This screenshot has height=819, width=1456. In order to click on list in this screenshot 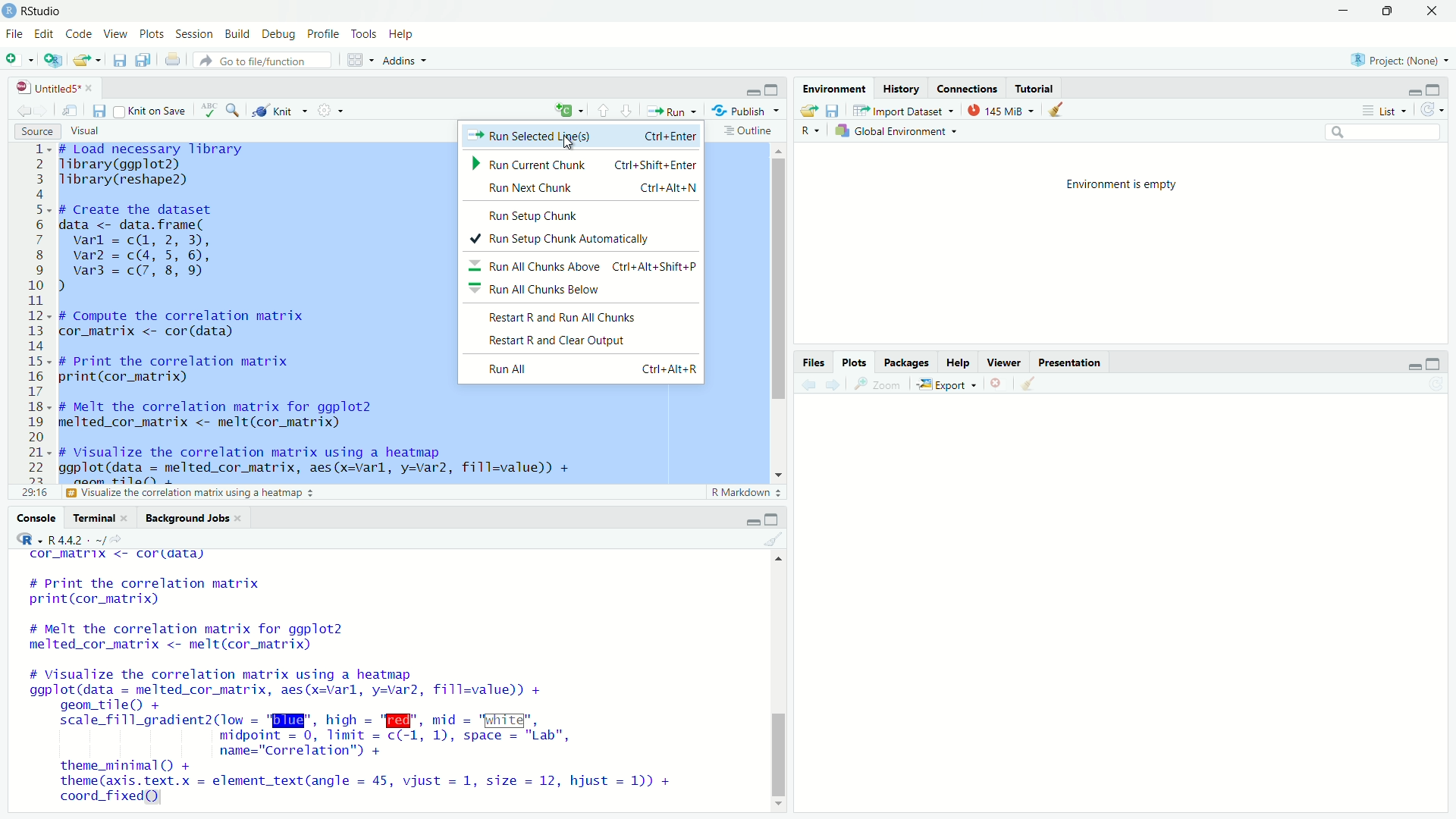, I will do `click(1385, 110)`.